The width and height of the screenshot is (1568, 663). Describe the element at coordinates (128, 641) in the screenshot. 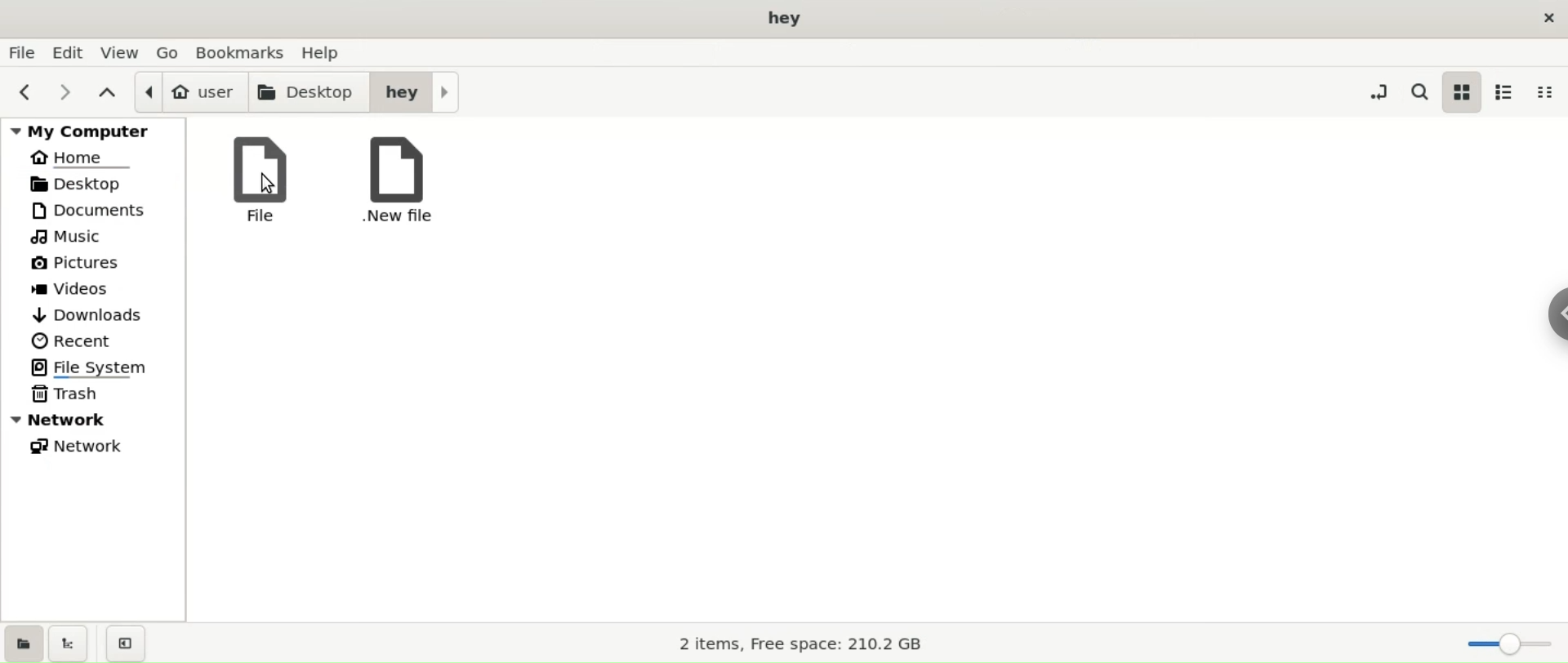

I see `close sidebar` at that location.